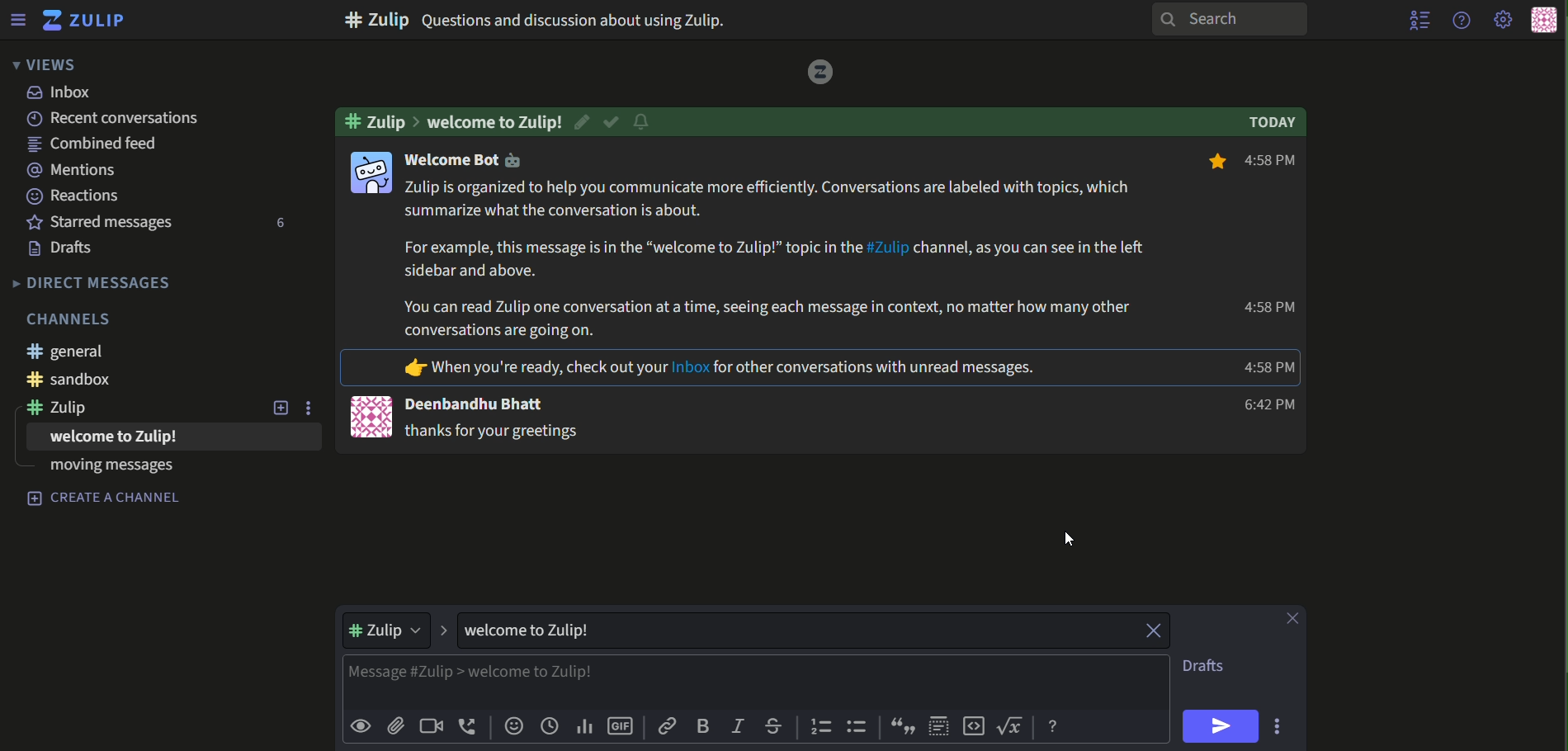  I want to click on text, so click(1276, 162).